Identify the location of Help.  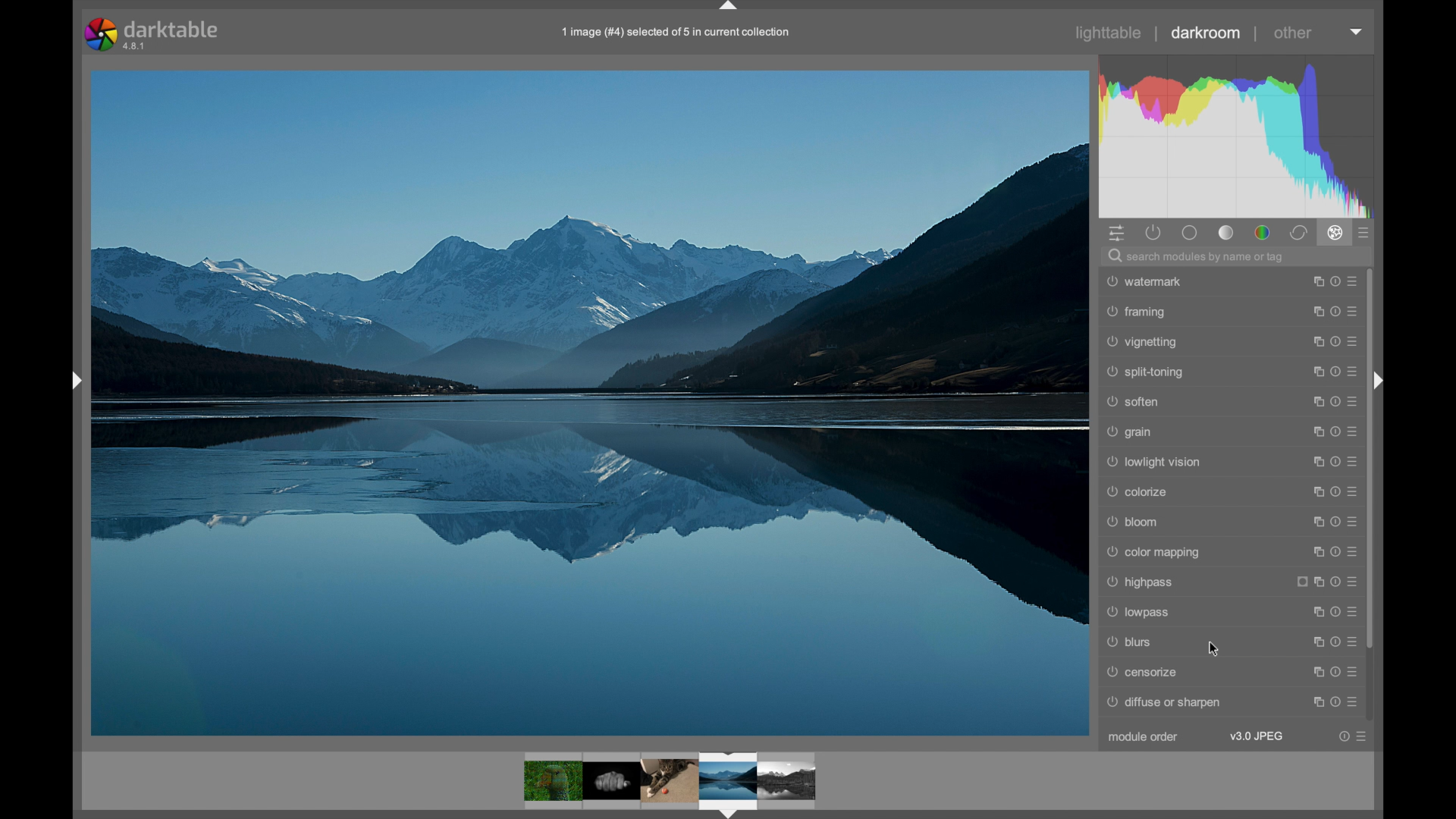
(1334, 582).